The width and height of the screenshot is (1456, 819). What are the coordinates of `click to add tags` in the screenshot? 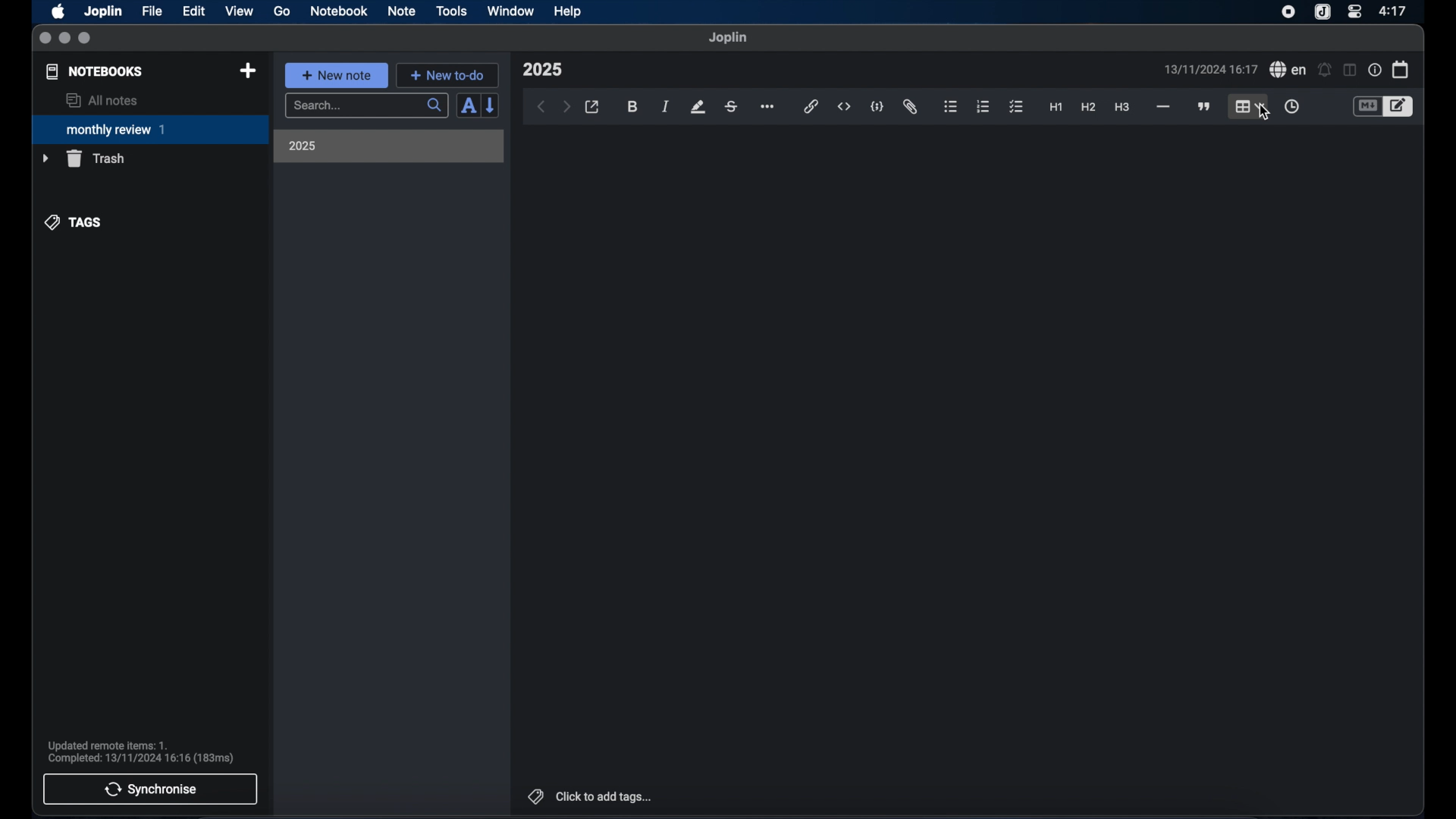 It's located at (591, 796).